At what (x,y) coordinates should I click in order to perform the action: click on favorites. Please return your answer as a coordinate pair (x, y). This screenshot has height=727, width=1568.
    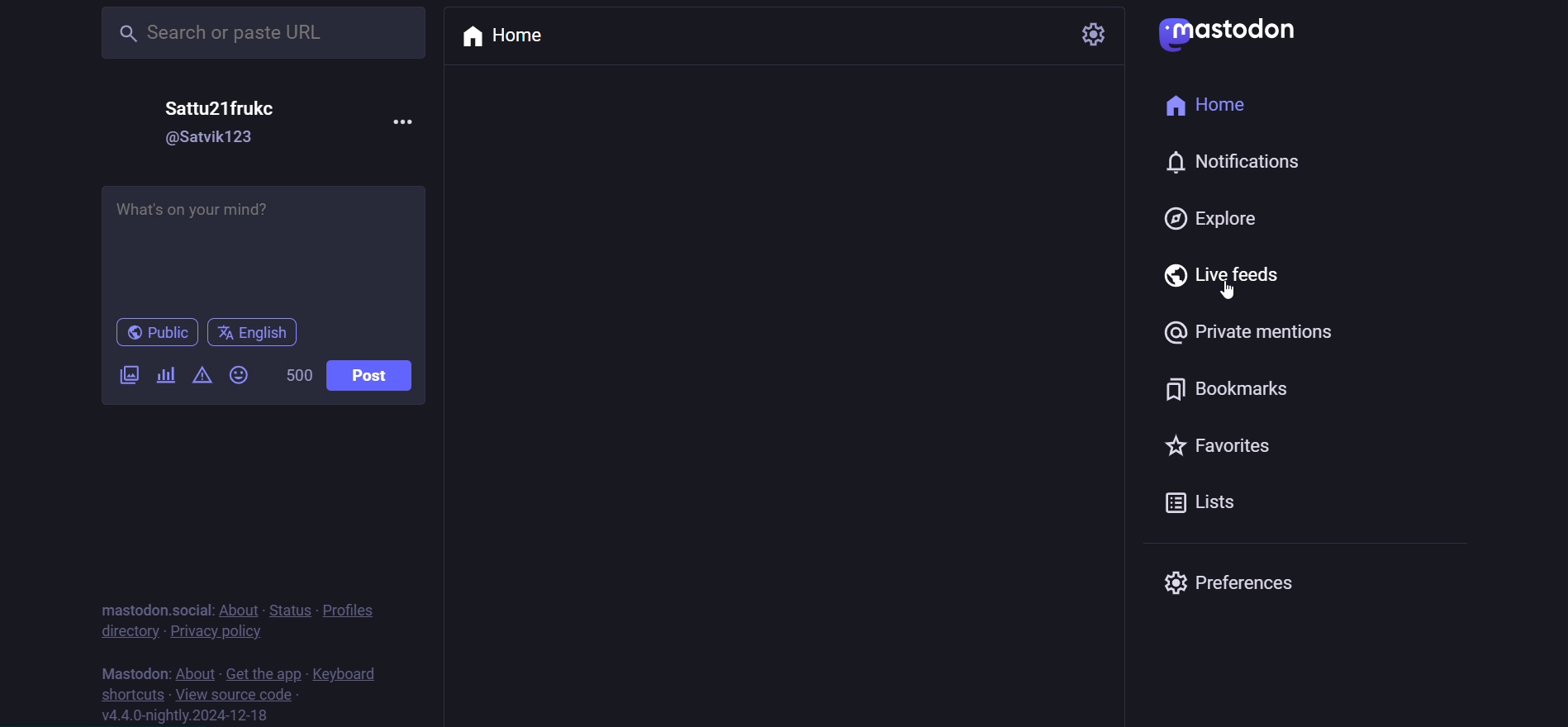
    Looking at the image, I should click on (1207, 448).